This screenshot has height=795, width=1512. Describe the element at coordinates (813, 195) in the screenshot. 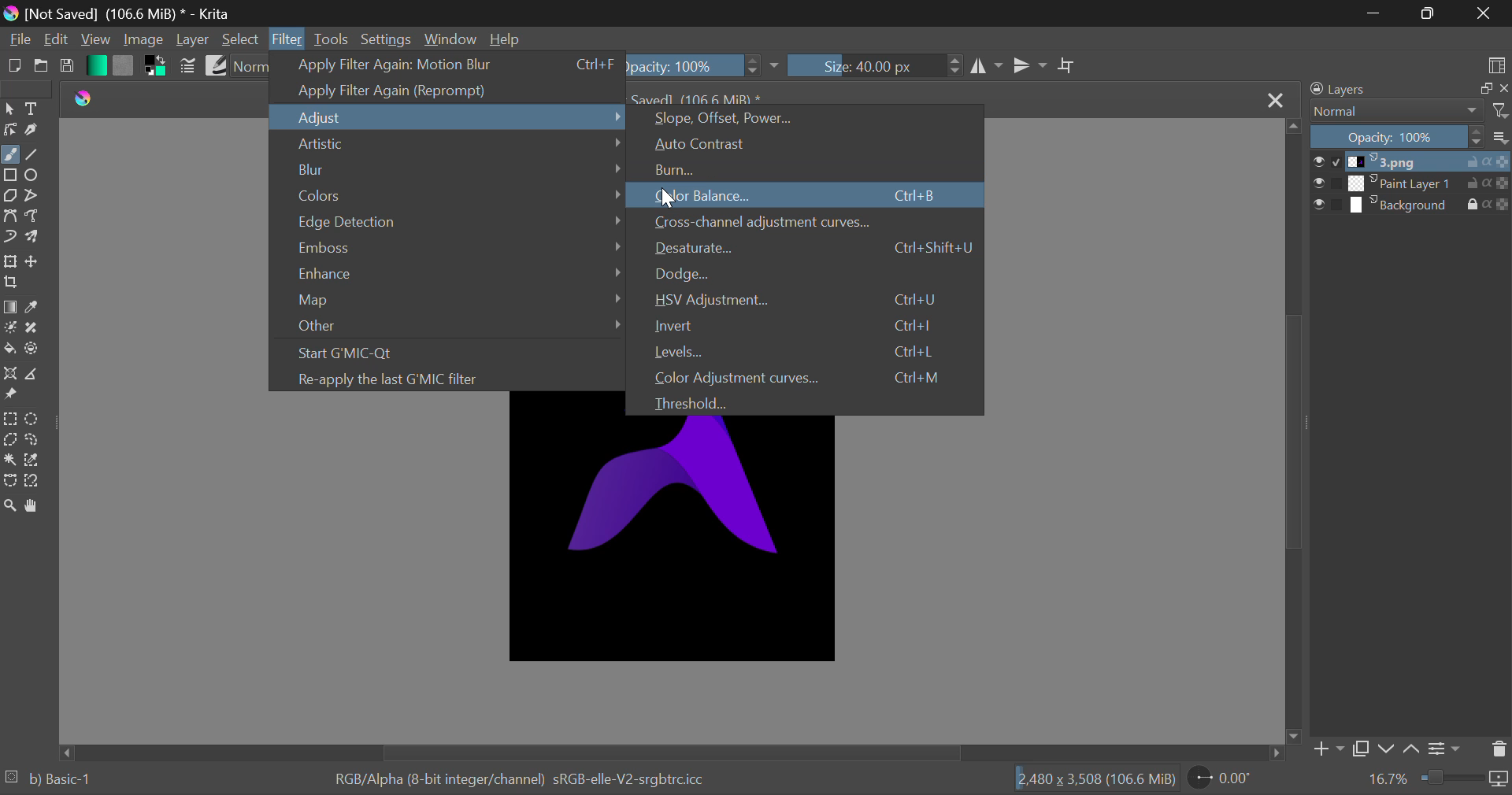

I see `Color Balance` at that location.